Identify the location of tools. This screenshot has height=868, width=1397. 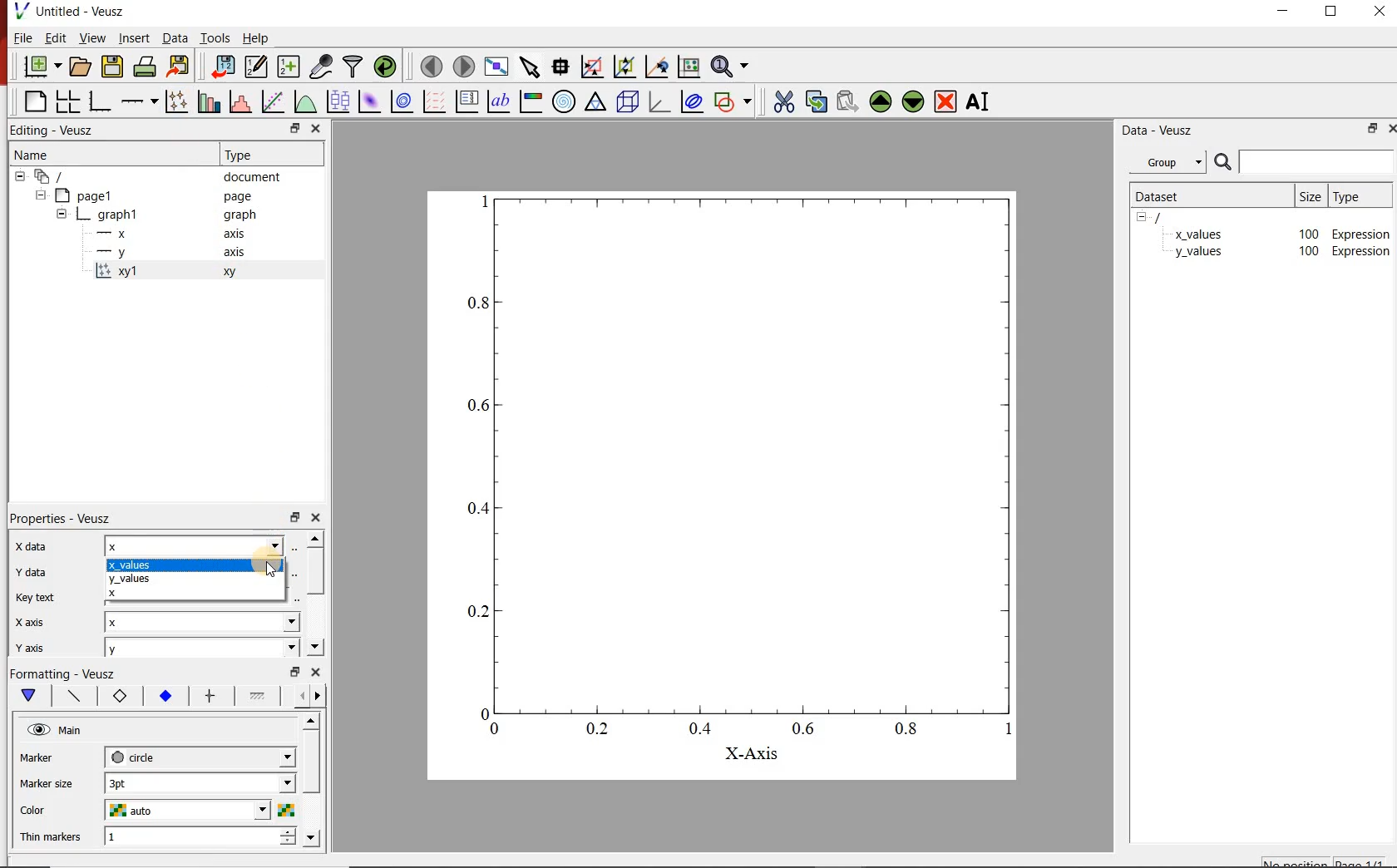
(217, 37).